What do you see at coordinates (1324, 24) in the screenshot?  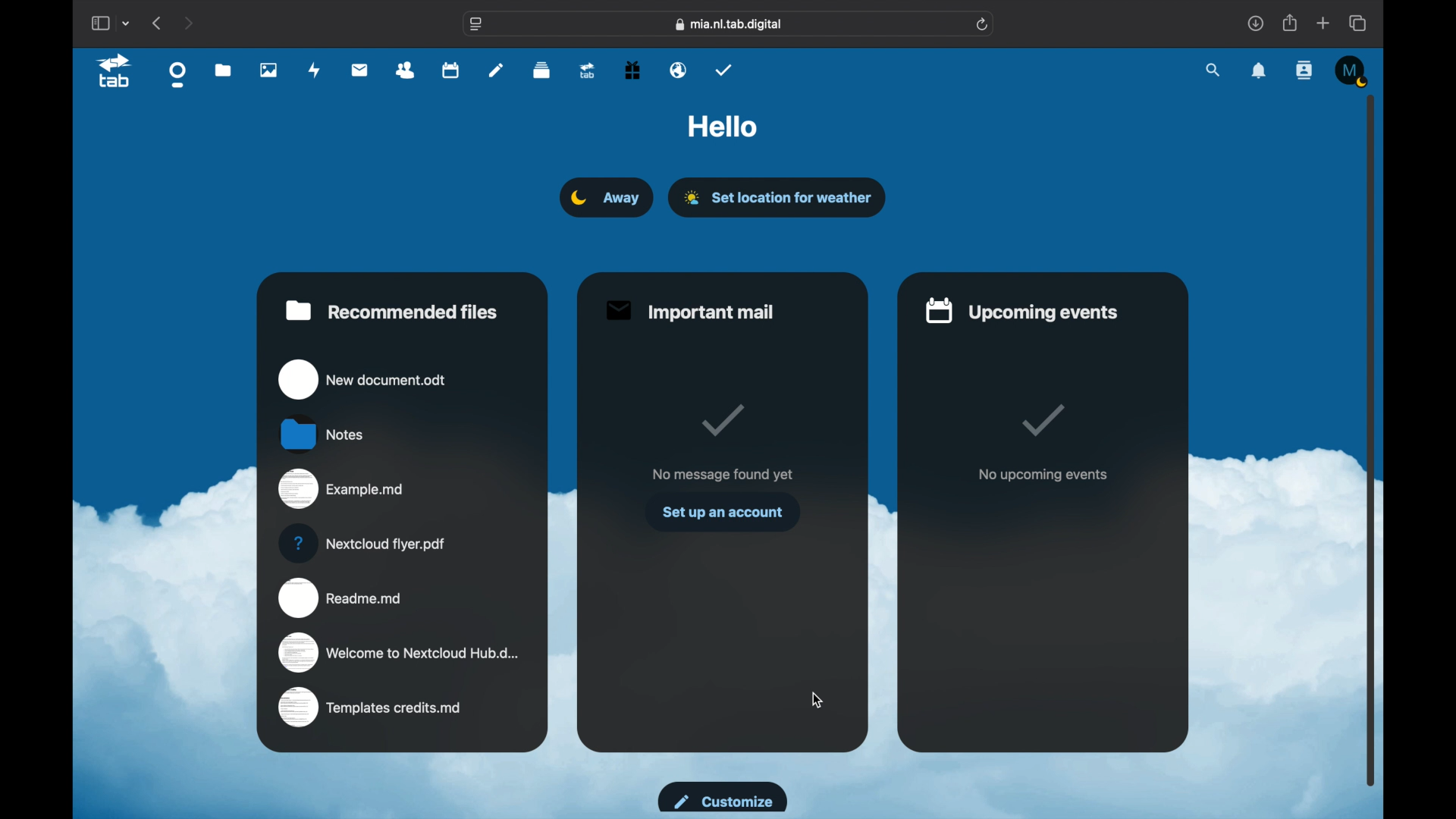 I see `new tab` at bounding box center [1324, 24].